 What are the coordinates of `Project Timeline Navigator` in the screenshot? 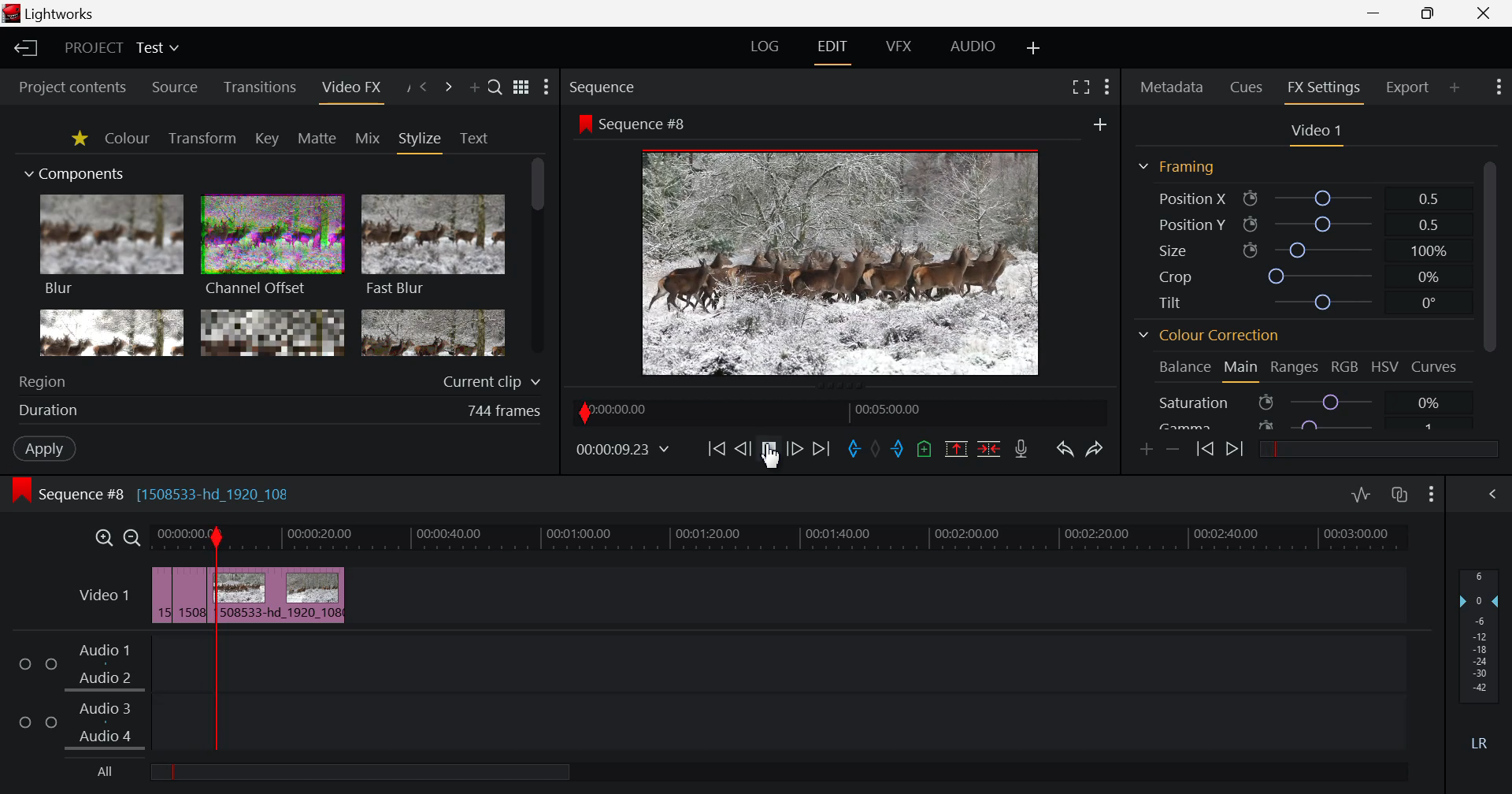 It's located at (837, 410).